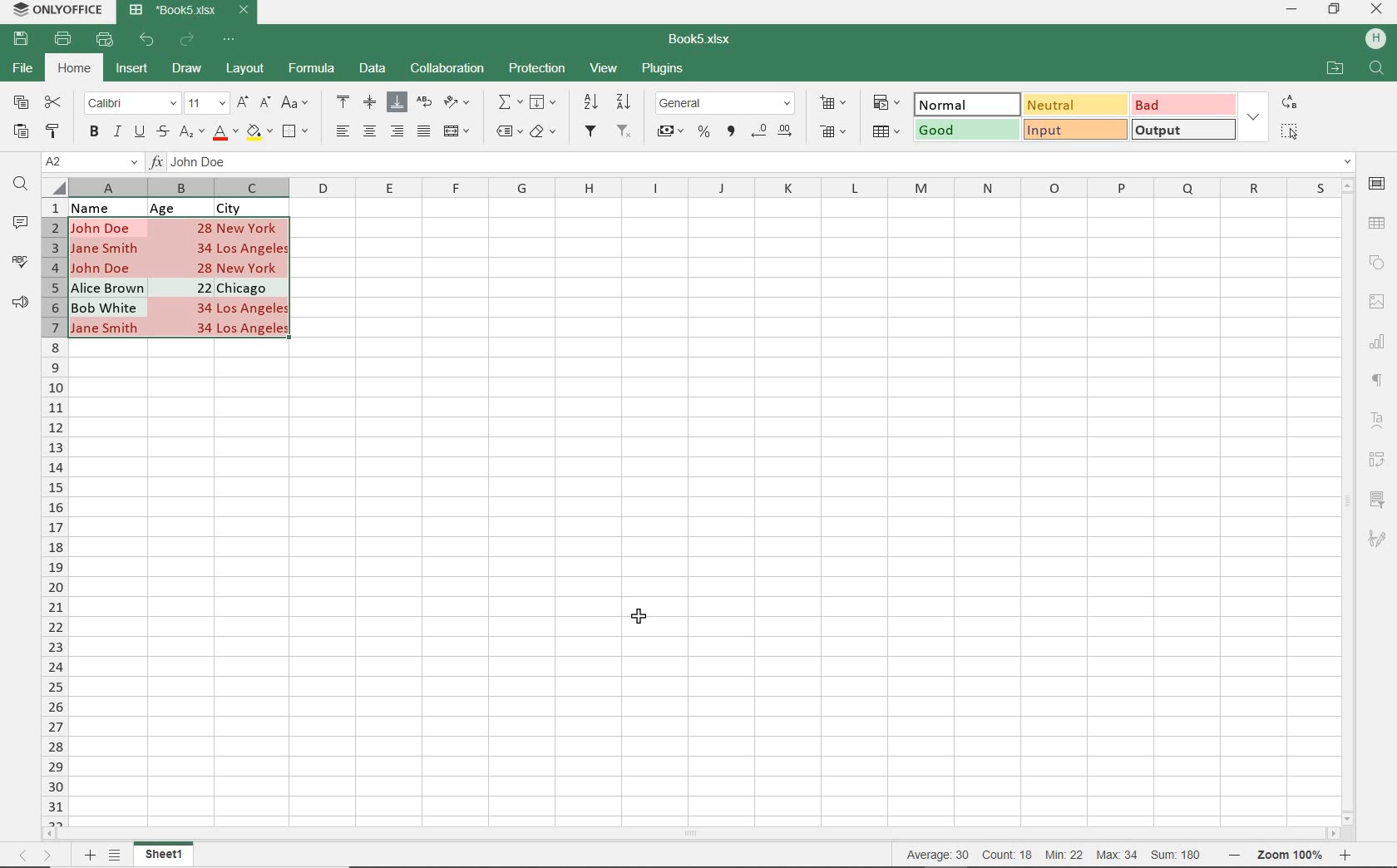 The image size is (1397, 868). What do you see at coordinates (138, 132) in the screenshot?
I see `UNDERLINE` at bounding box center [138, 132].